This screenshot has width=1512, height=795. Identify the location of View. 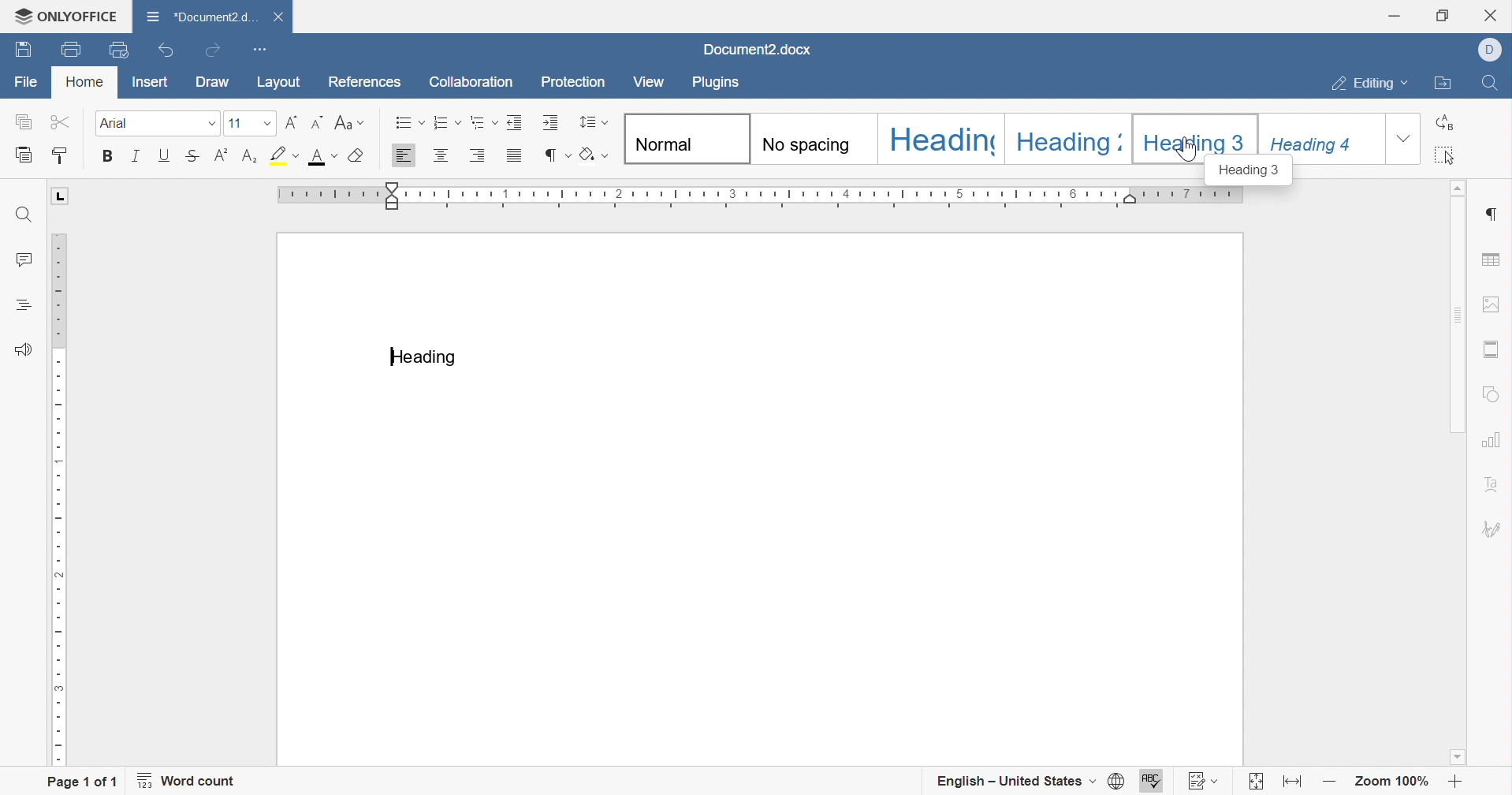
(652, 80).